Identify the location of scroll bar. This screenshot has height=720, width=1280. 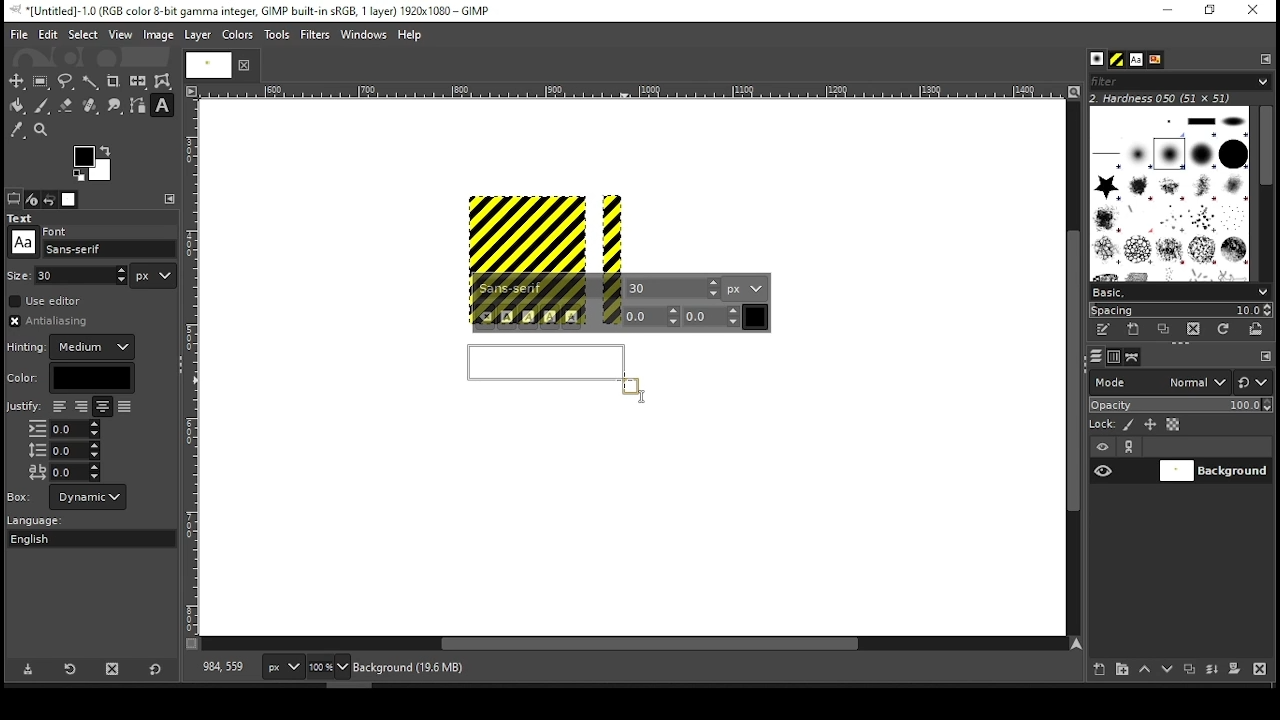
(1071, 367).